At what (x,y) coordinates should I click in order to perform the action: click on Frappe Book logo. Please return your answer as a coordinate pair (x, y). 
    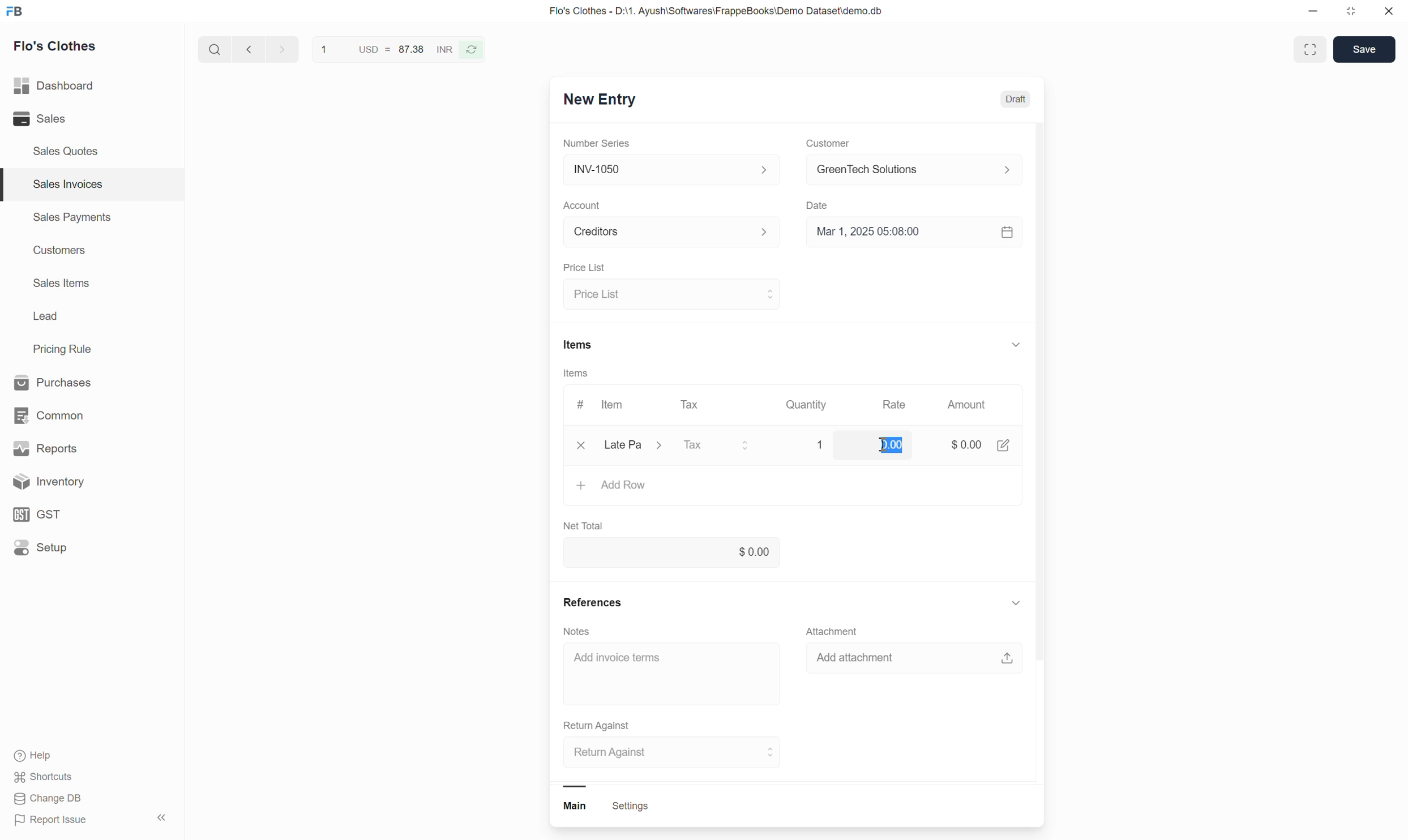
    Looking at the image, I should click on (18, 12).